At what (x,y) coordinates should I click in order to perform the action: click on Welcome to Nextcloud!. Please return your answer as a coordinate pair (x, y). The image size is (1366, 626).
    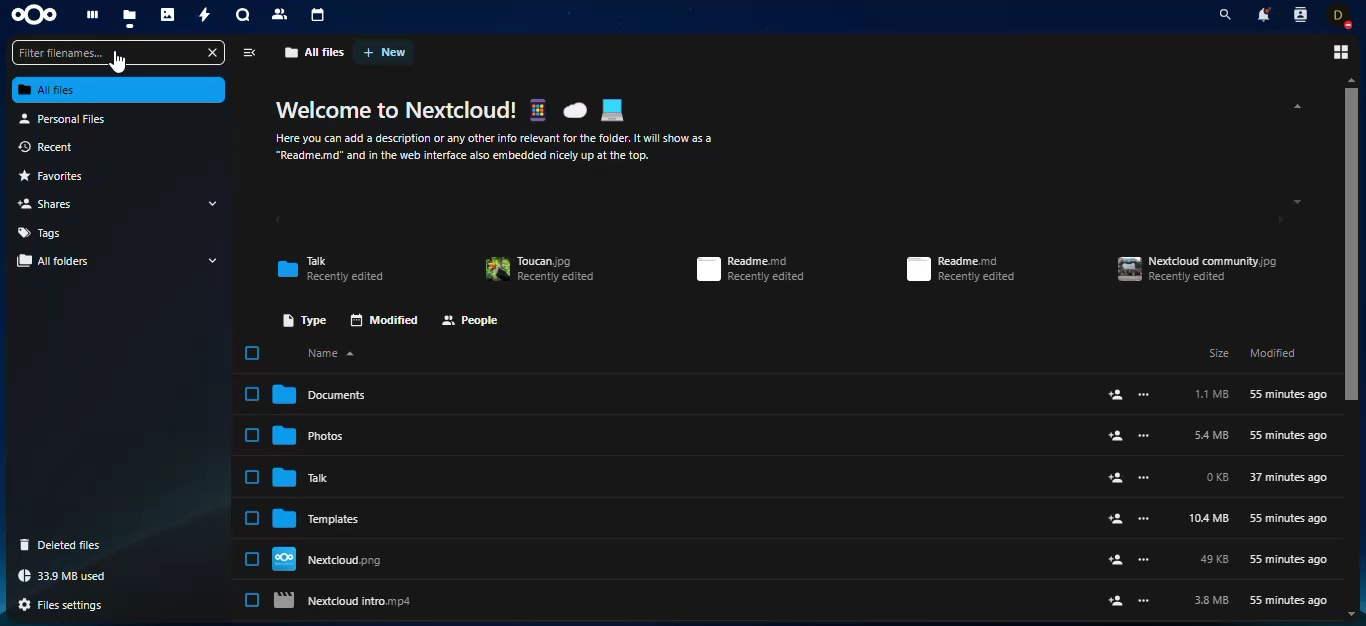
    Looking at the image, I should click on (397, 110).